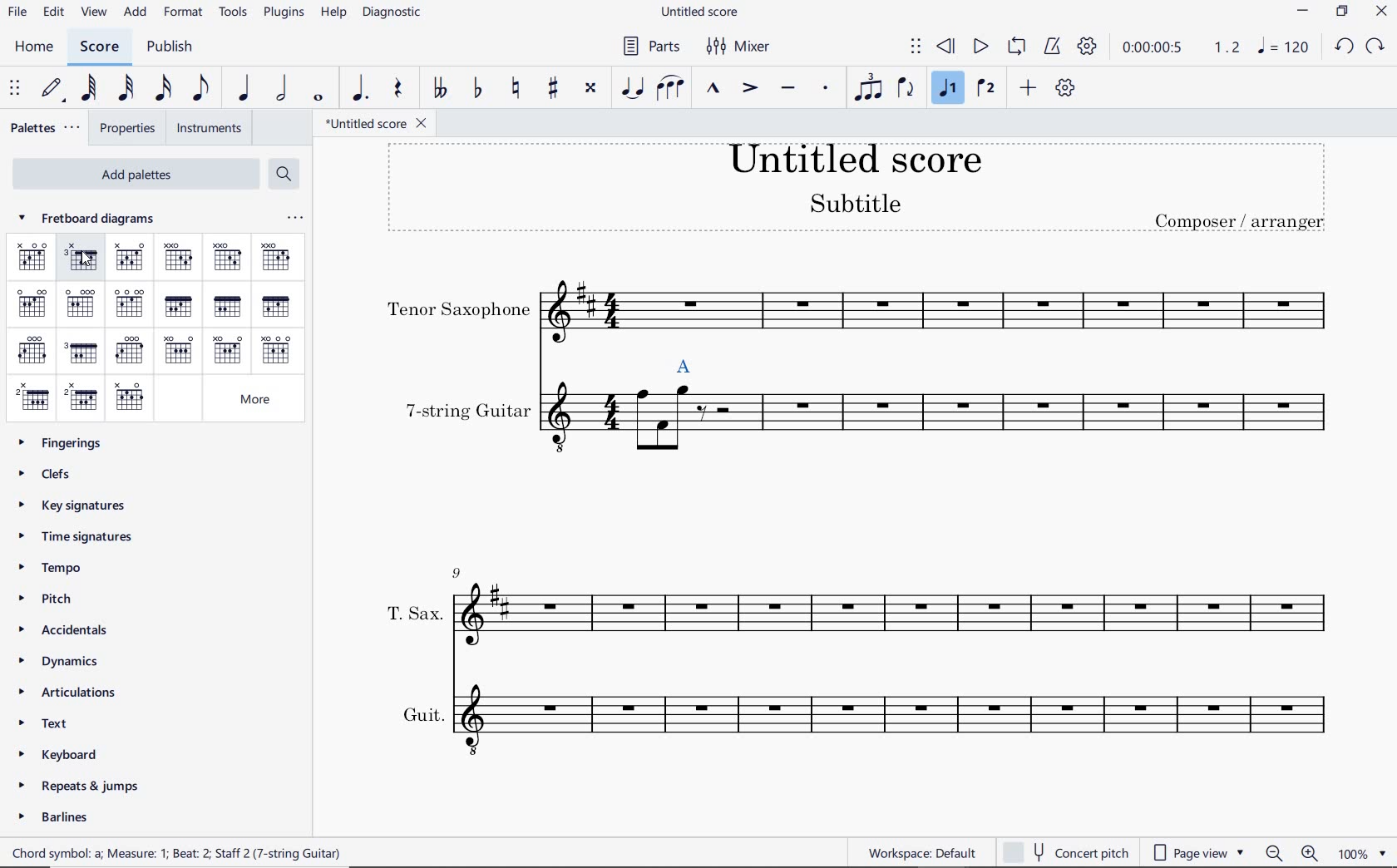 The width and height of the screenshot is (1397, 868). Describe the element at coordinates (685, 363) in the screenshot. I see `selected chord` at that location.